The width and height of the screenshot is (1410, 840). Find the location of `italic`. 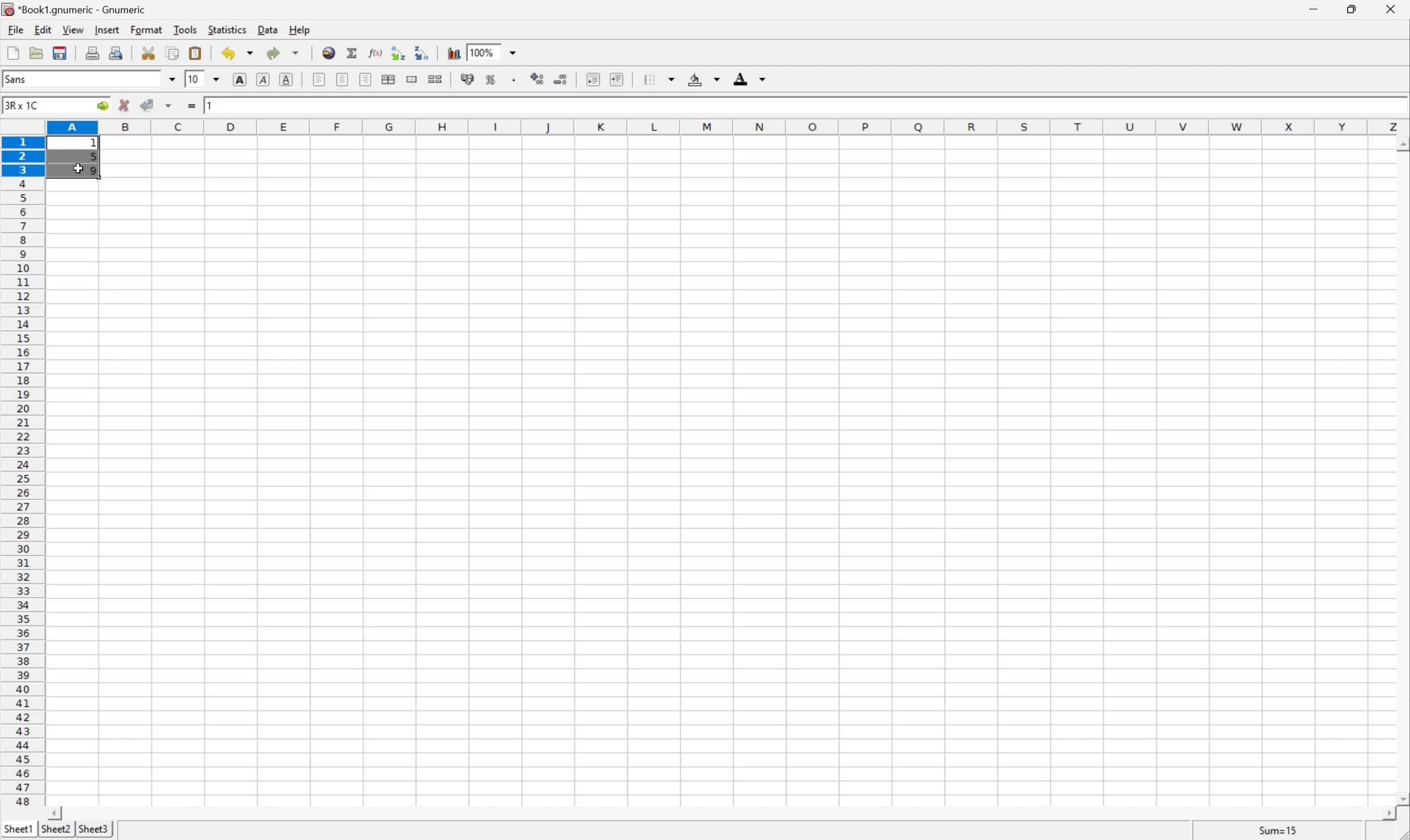

italic is located at coordinates (264, 78).